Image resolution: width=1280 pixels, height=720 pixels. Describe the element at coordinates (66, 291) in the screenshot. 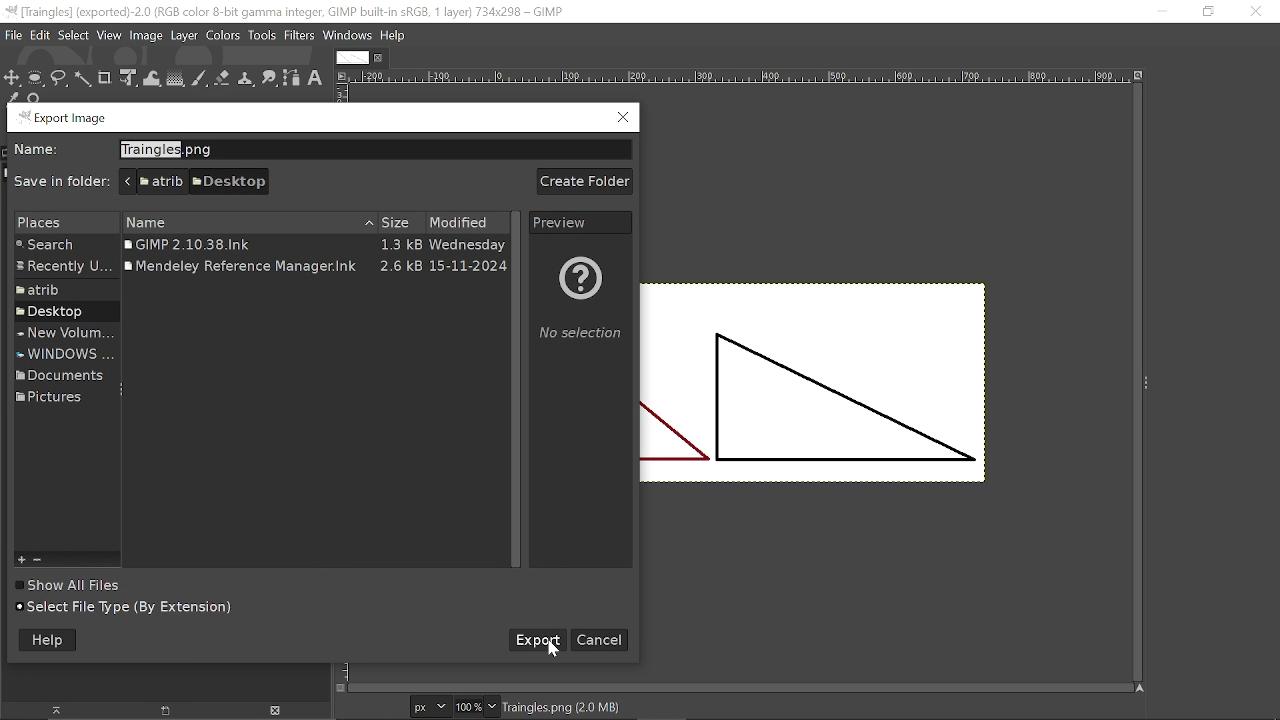

I see `folder` at that location.